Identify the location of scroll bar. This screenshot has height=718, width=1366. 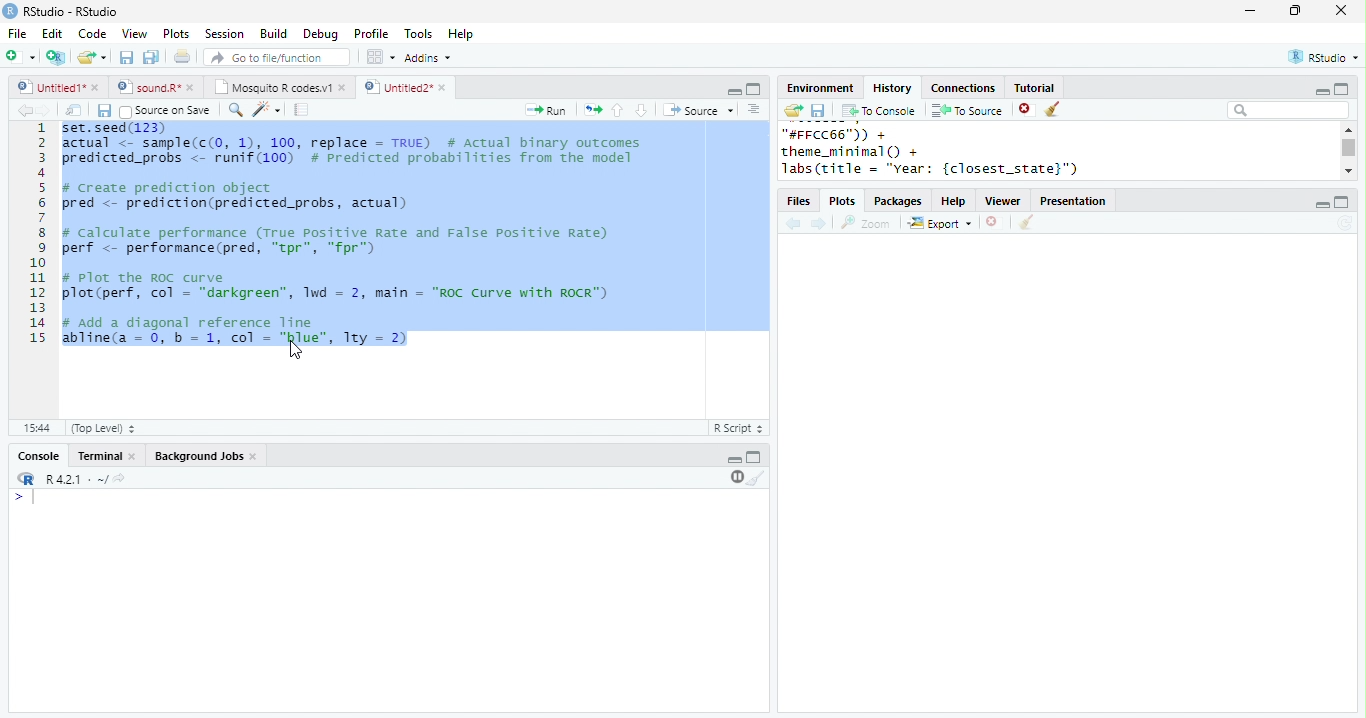
(1350, 148).